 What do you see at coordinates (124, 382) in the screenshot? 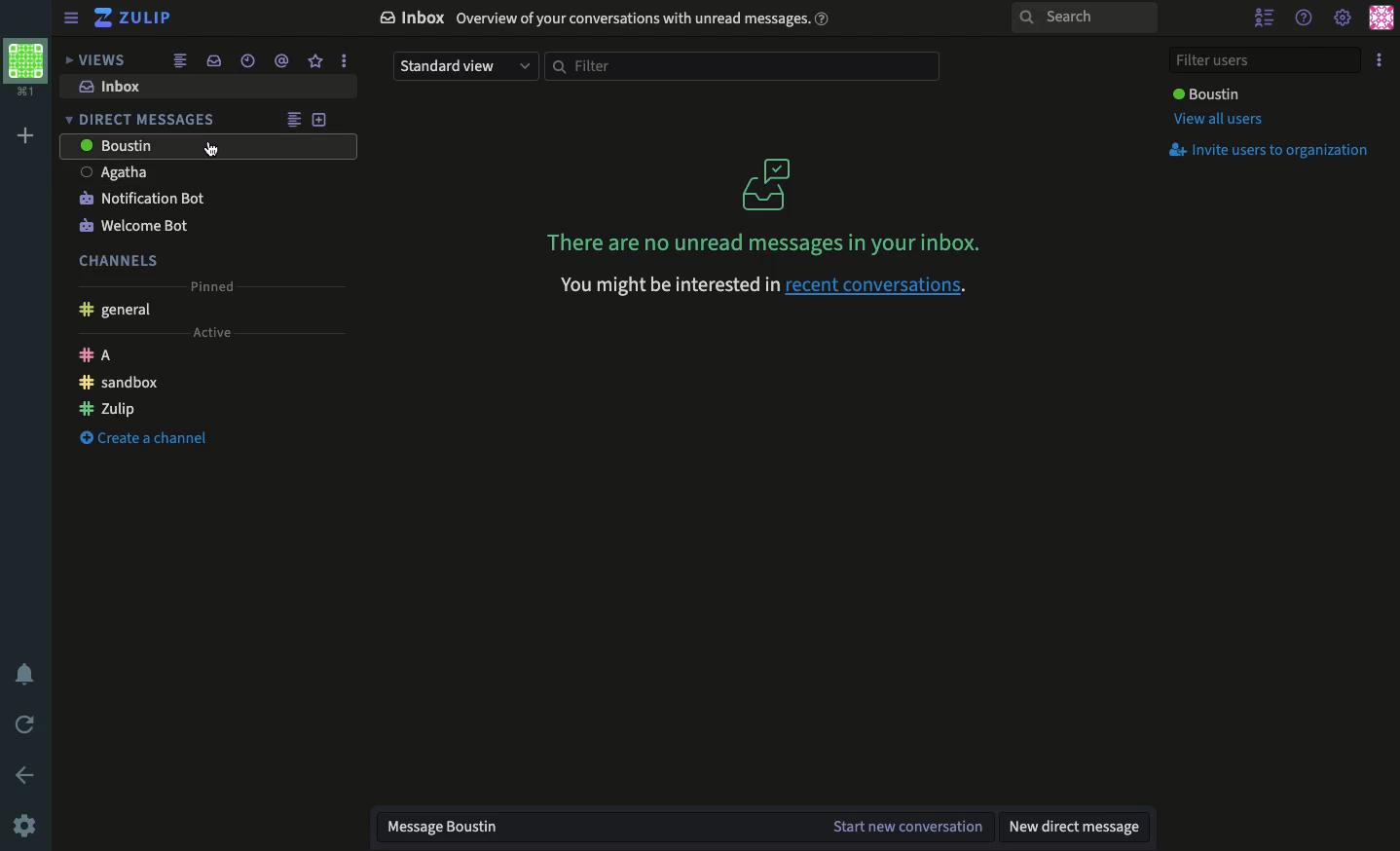
I see `Sandbox` at bounding box center [124, 382].